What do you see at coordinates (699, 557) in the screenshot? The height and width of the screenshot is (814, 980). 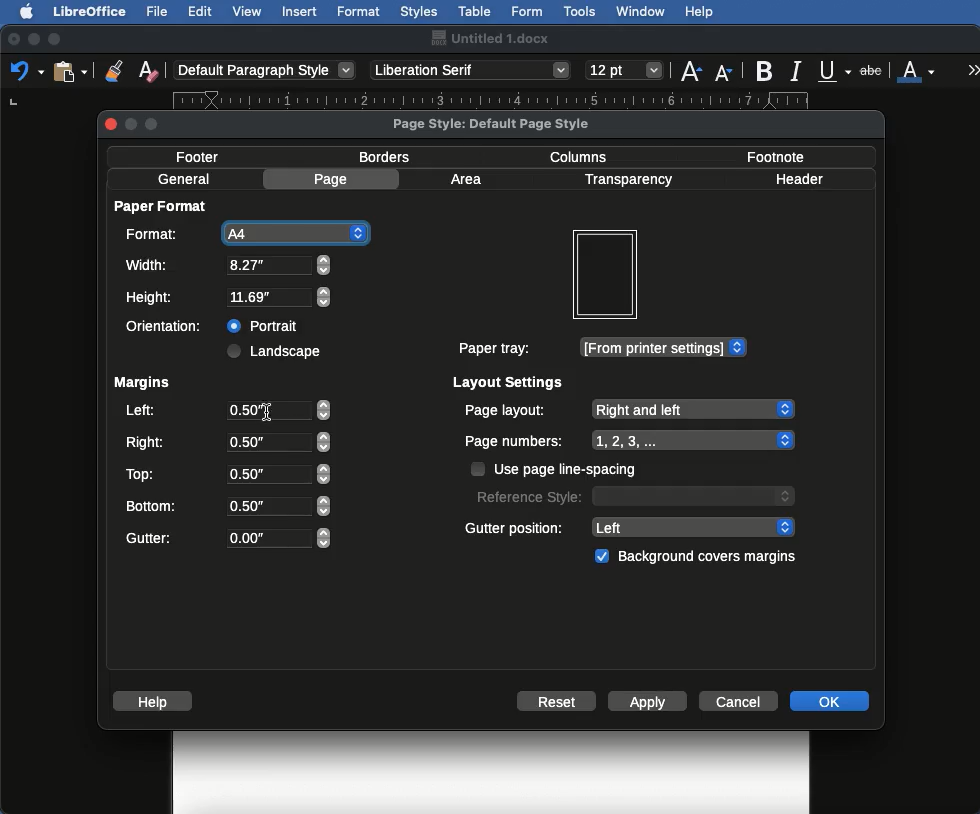 I see `Background covers margins` at bounding box center [699, 557].